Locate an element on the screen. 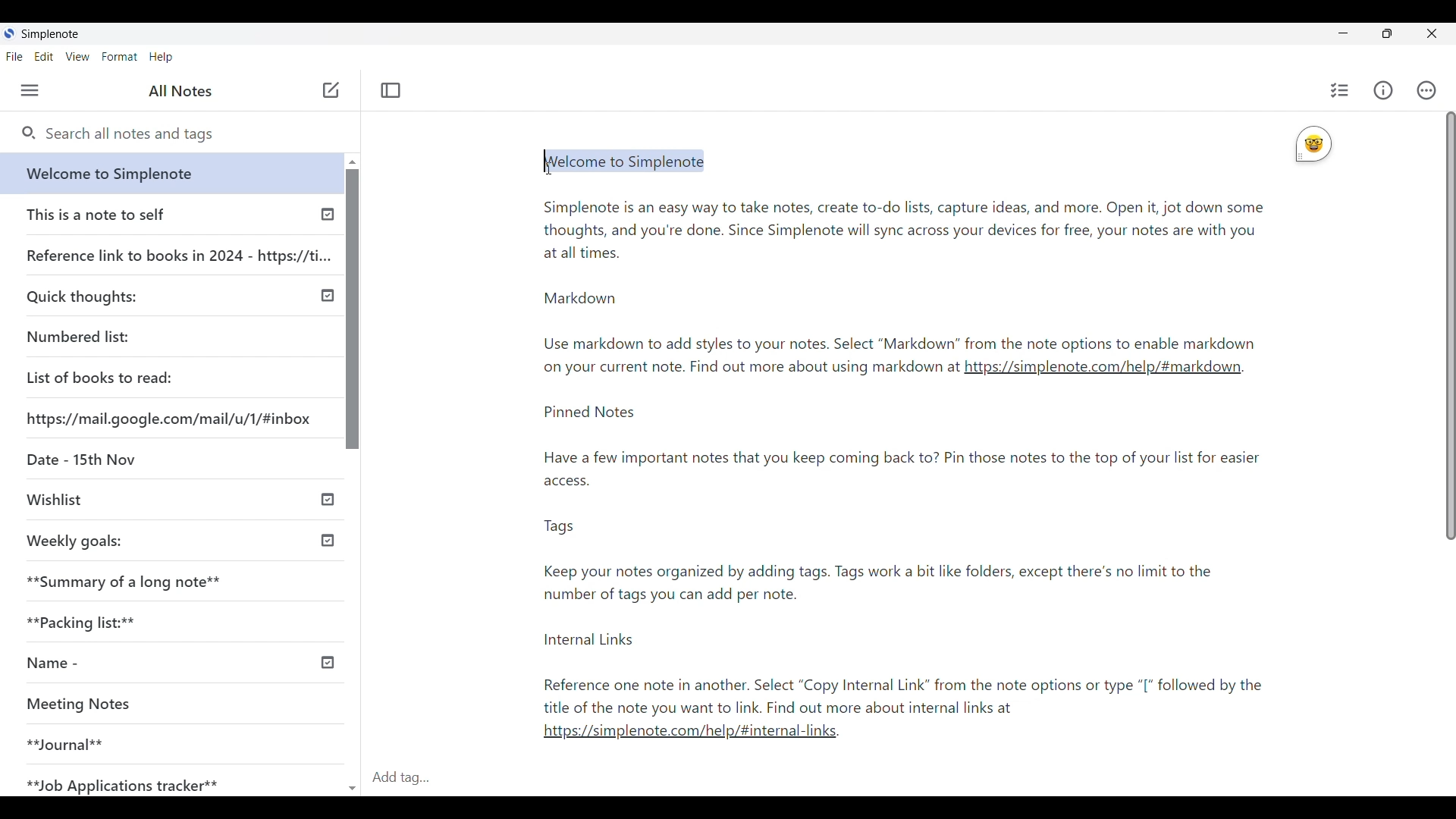  Numbered list is located at coordinates (77, 337).